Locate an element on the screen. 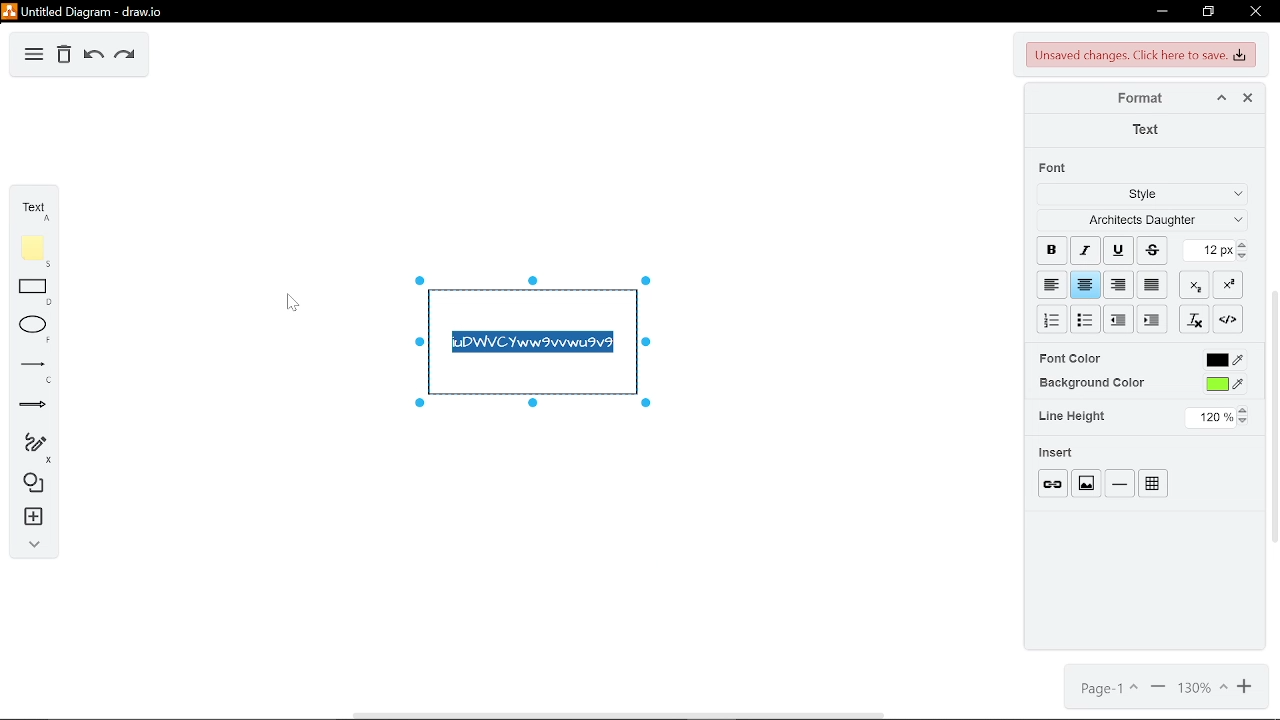 The image size is (1280, 720). rectangle is located at coordinates (29, 291).